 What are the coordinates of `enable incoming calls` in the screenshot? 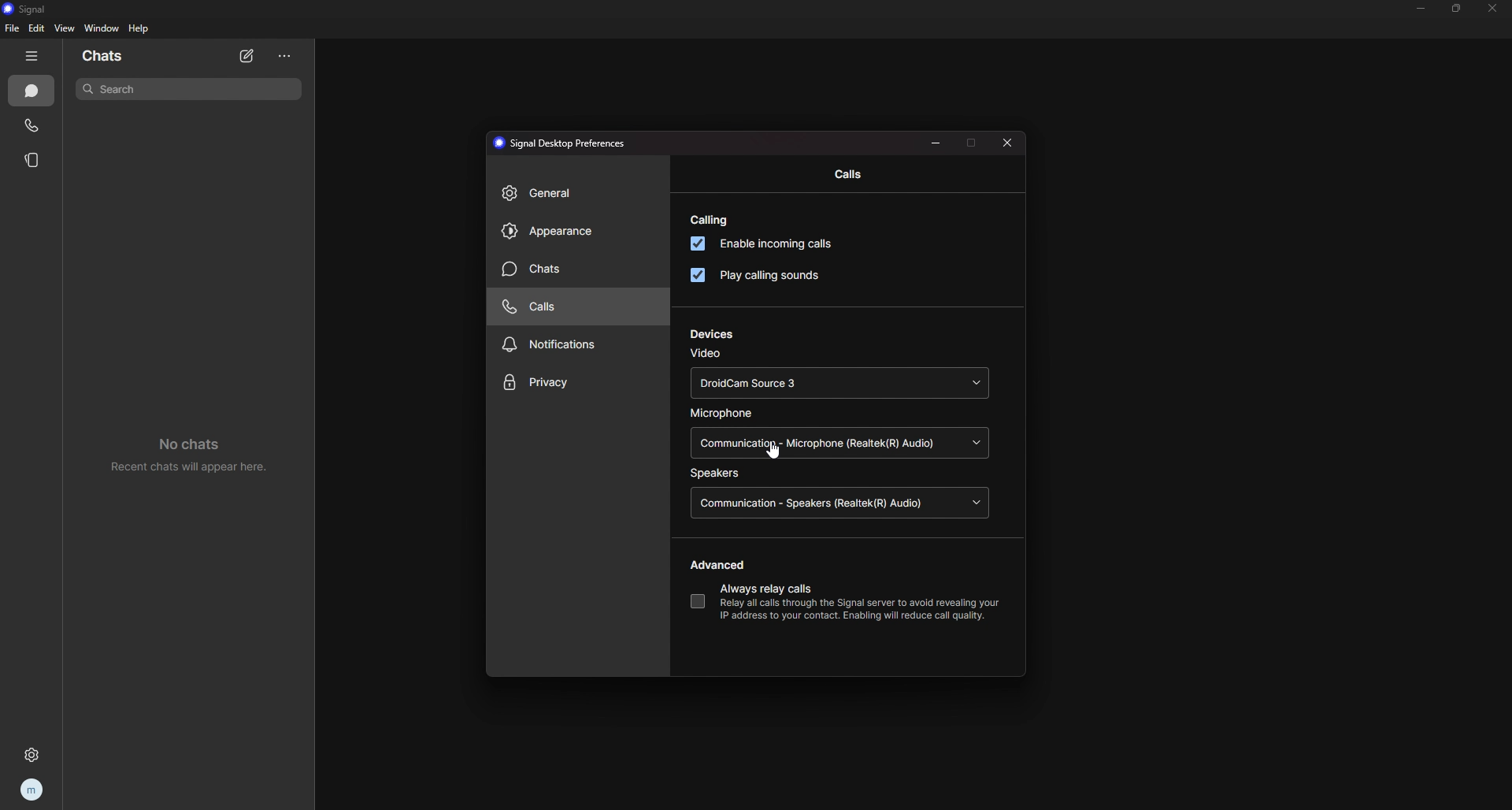 It's located at (770, 244).